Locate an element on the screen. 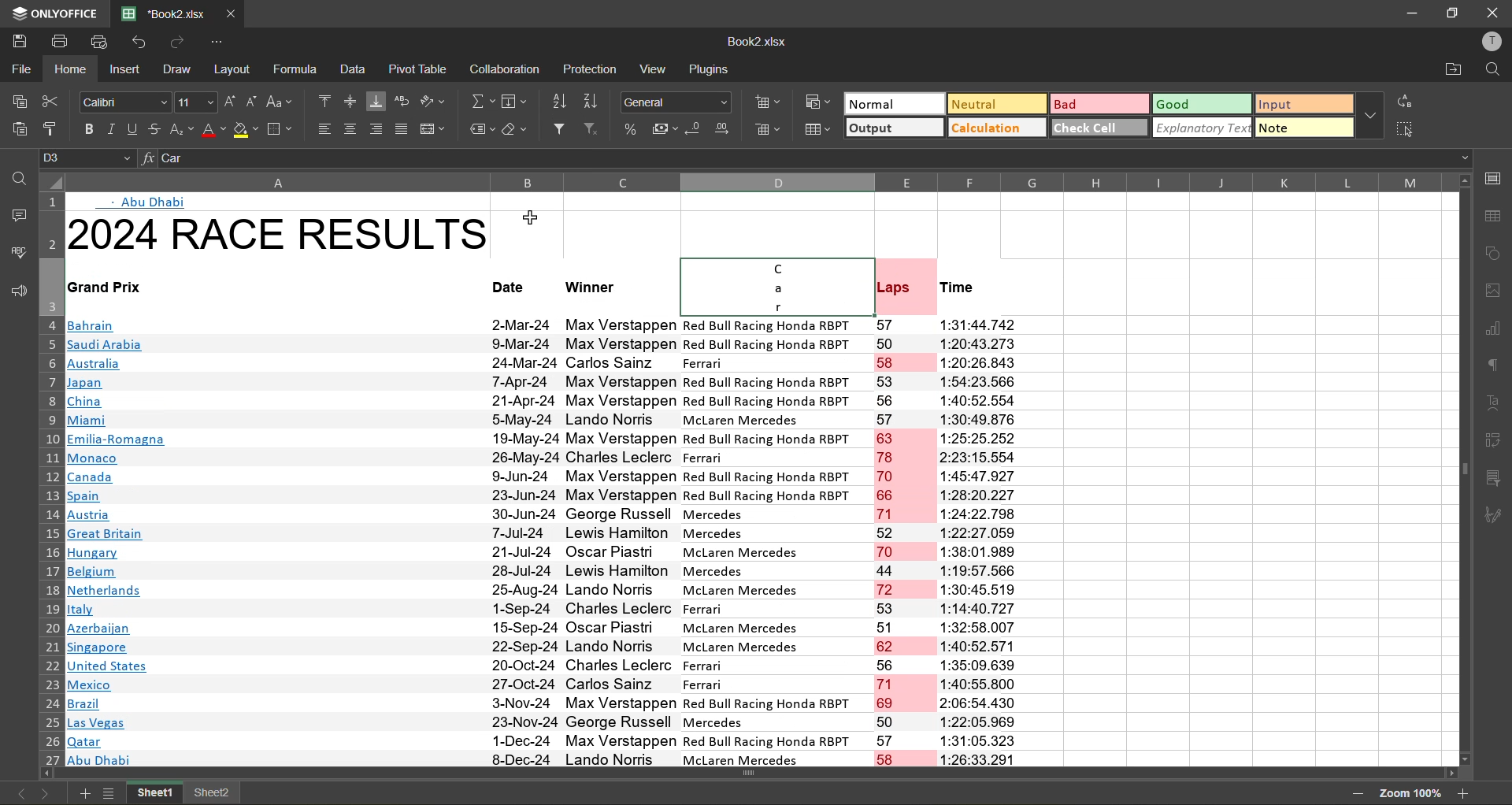 Image resolution: width=1512 pixels, height=805 pixels. insert cells is located at coordinates (766, 103).